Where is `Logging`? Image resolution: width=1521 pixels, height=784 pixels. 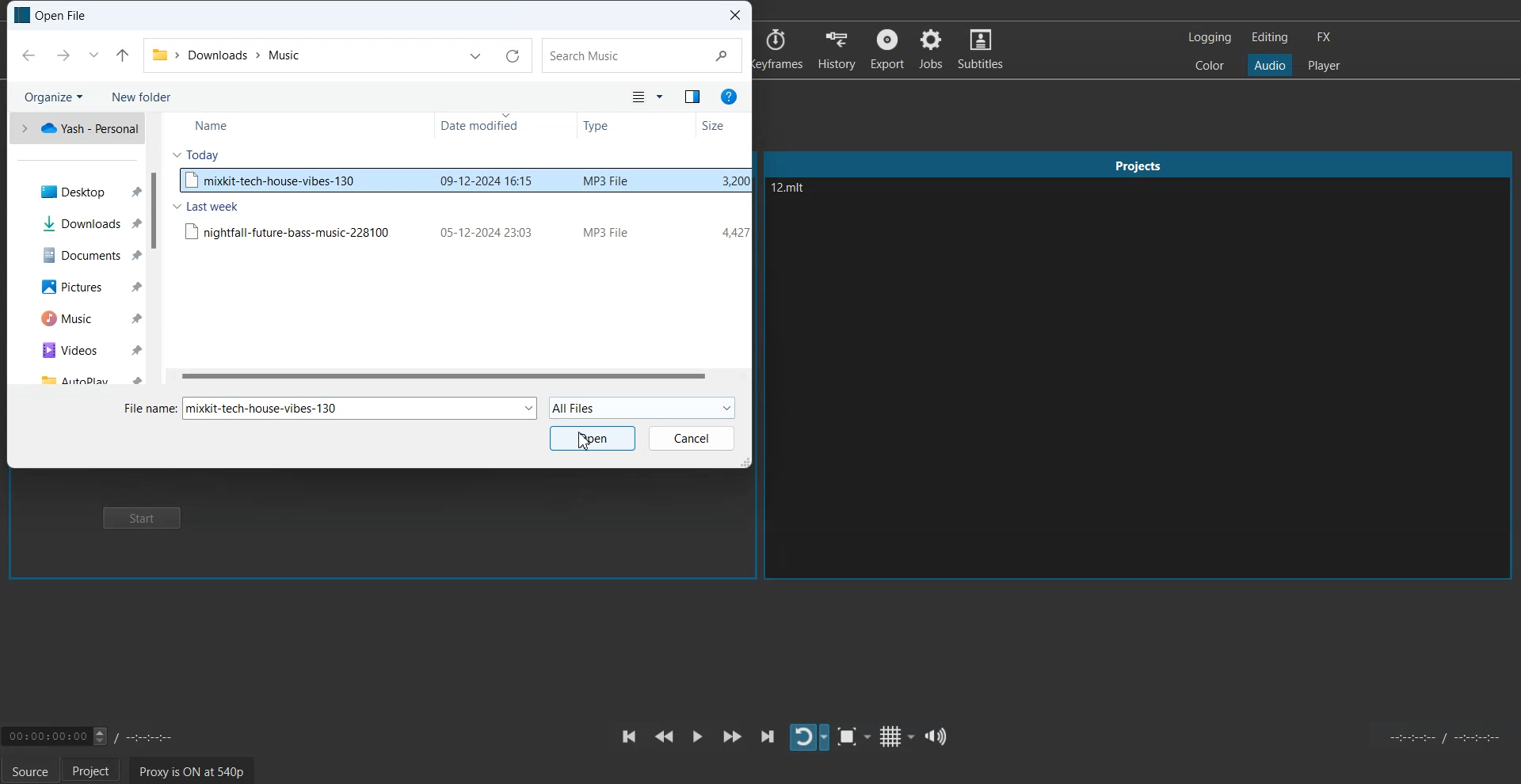
Logging is located at coordinates (1209, 36).